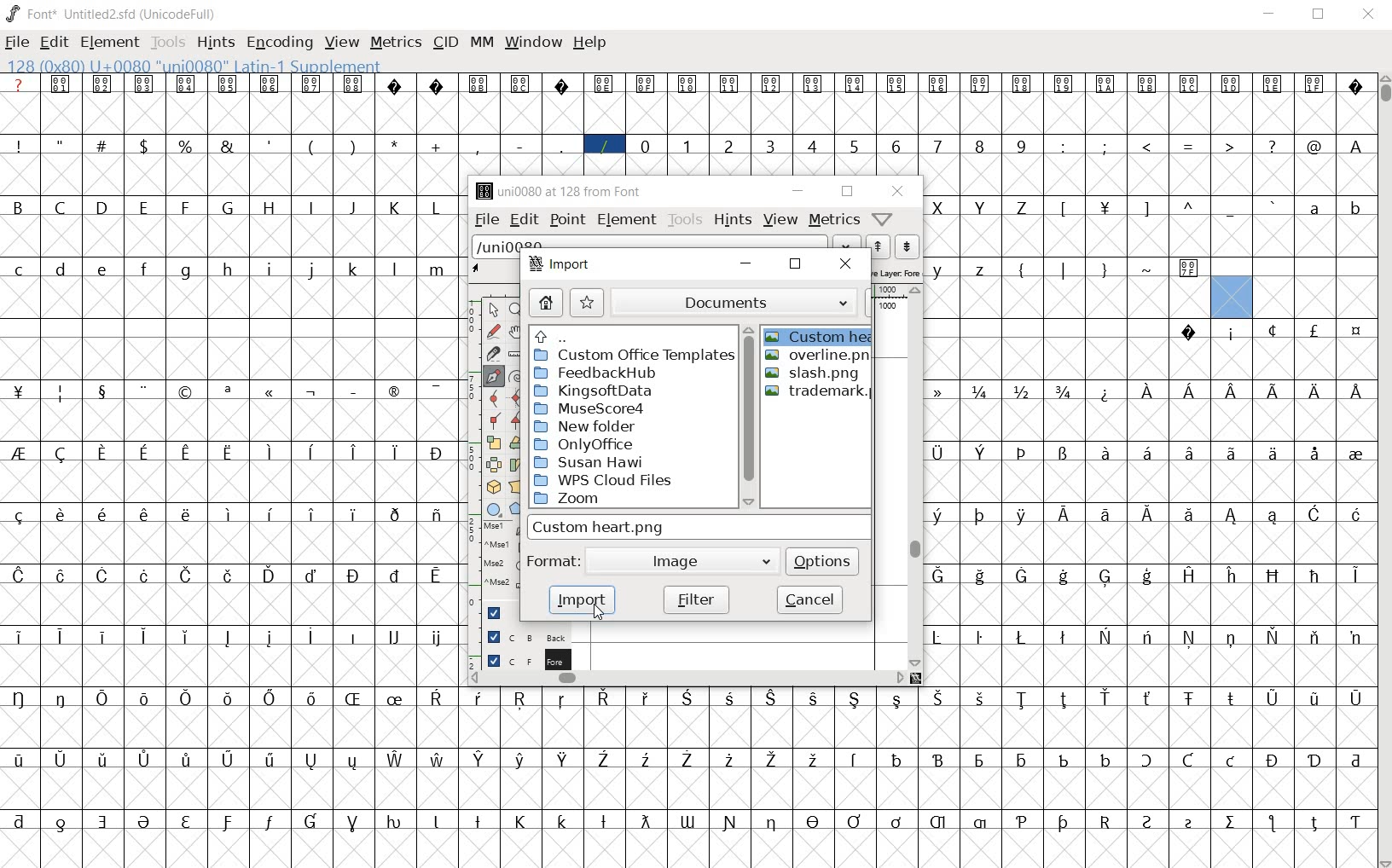 The image size is (1392, 868). What do you see at coordinates (1314, 147) in the screenshot?
I see `glyph` at bounding box center [1314, 147].